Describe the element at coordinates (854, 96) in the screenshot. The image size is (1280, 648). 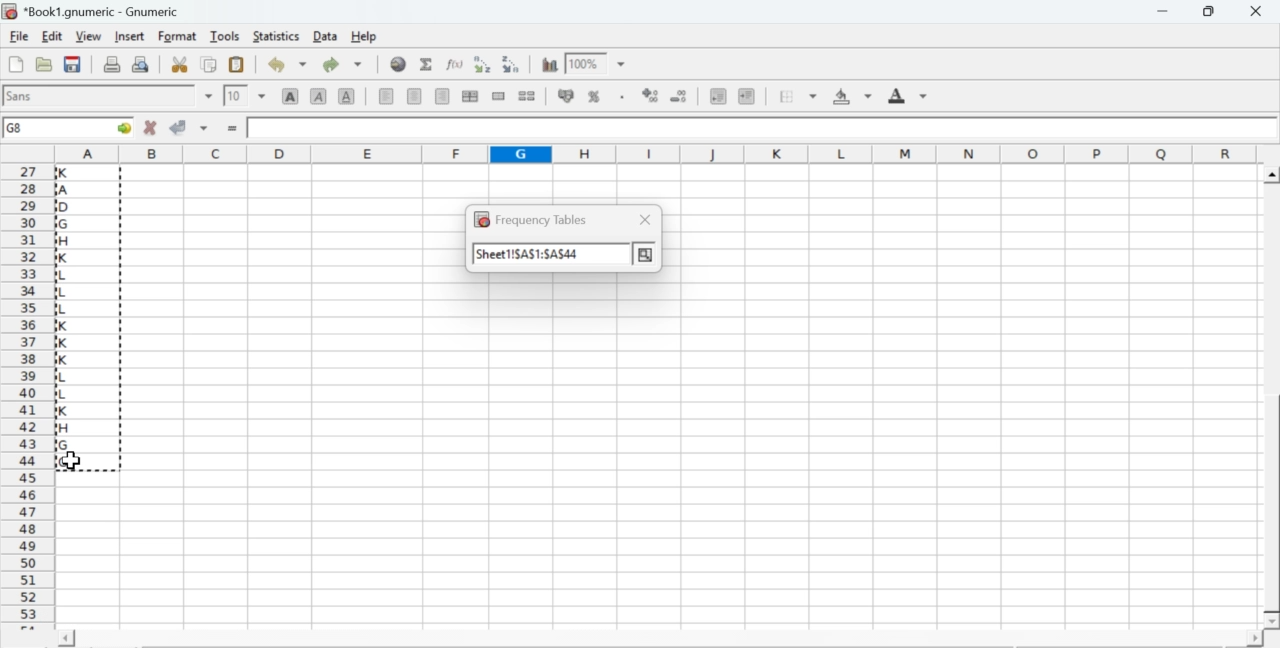
I see `background` at that location.